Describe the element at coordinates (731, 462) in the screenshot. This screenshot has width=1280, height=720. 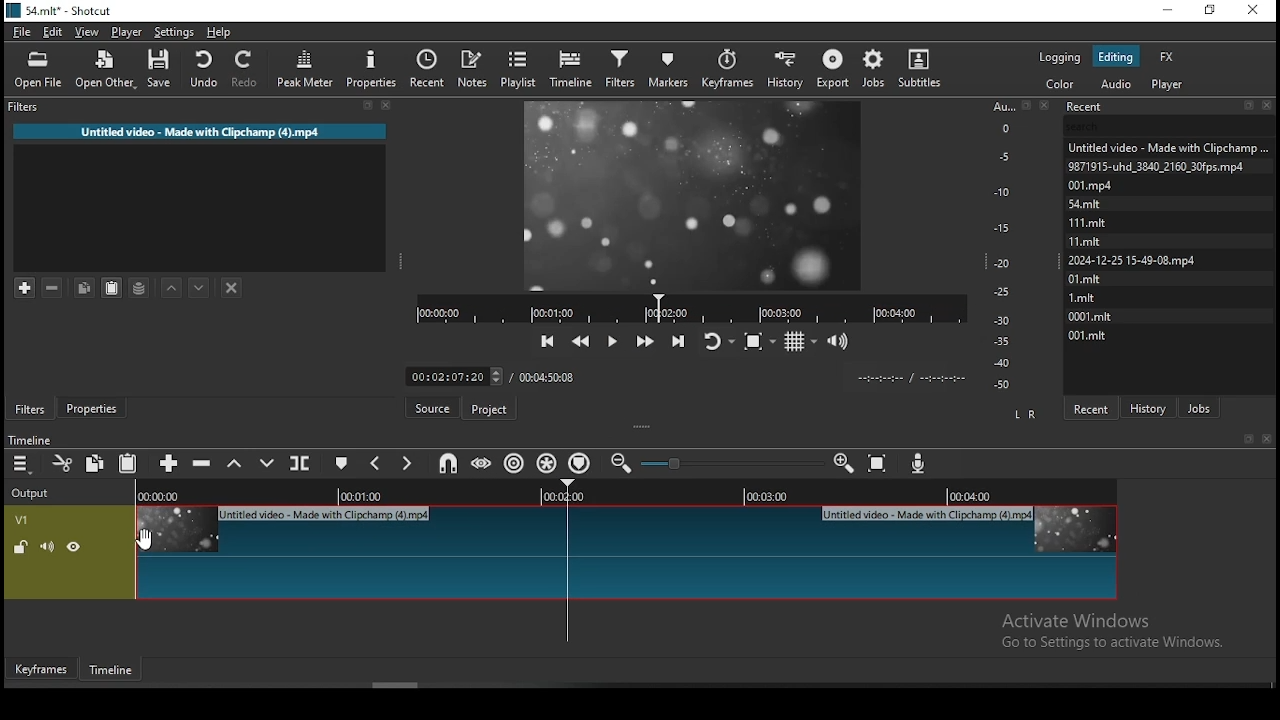
I see `zoom in or zoom out bar` at that location.